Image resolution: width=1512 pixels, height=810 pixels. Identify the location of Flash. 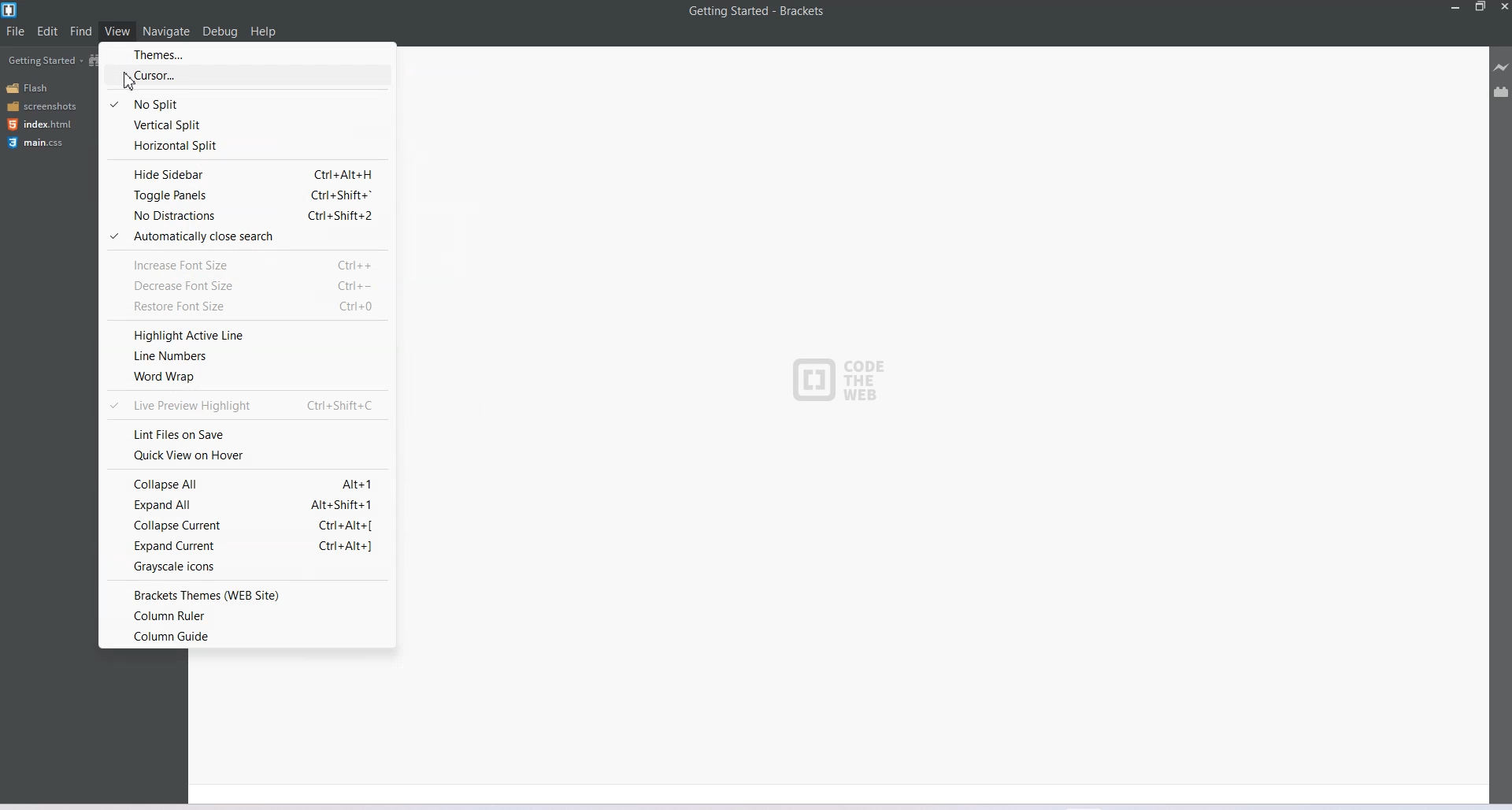
(30, 88).